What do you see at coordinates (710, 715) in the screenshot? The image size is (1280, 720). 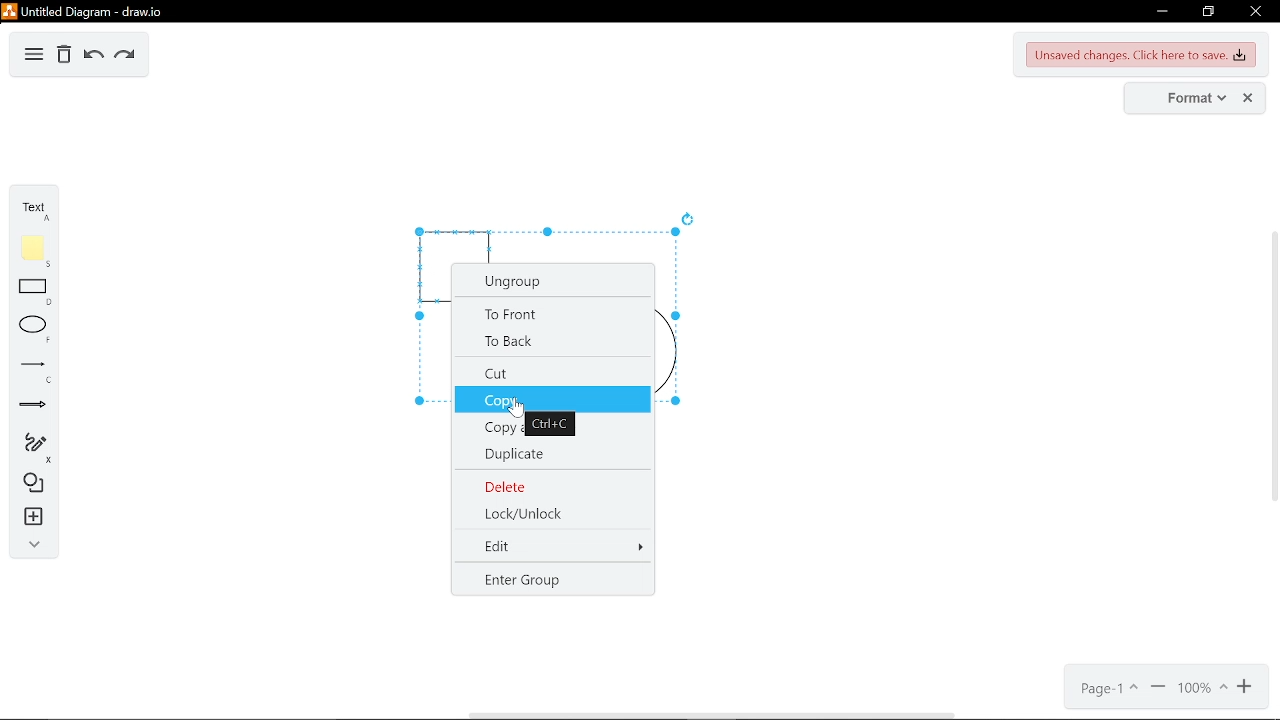 I see `horizontal scrollbar` at bounding box center [710, 715].